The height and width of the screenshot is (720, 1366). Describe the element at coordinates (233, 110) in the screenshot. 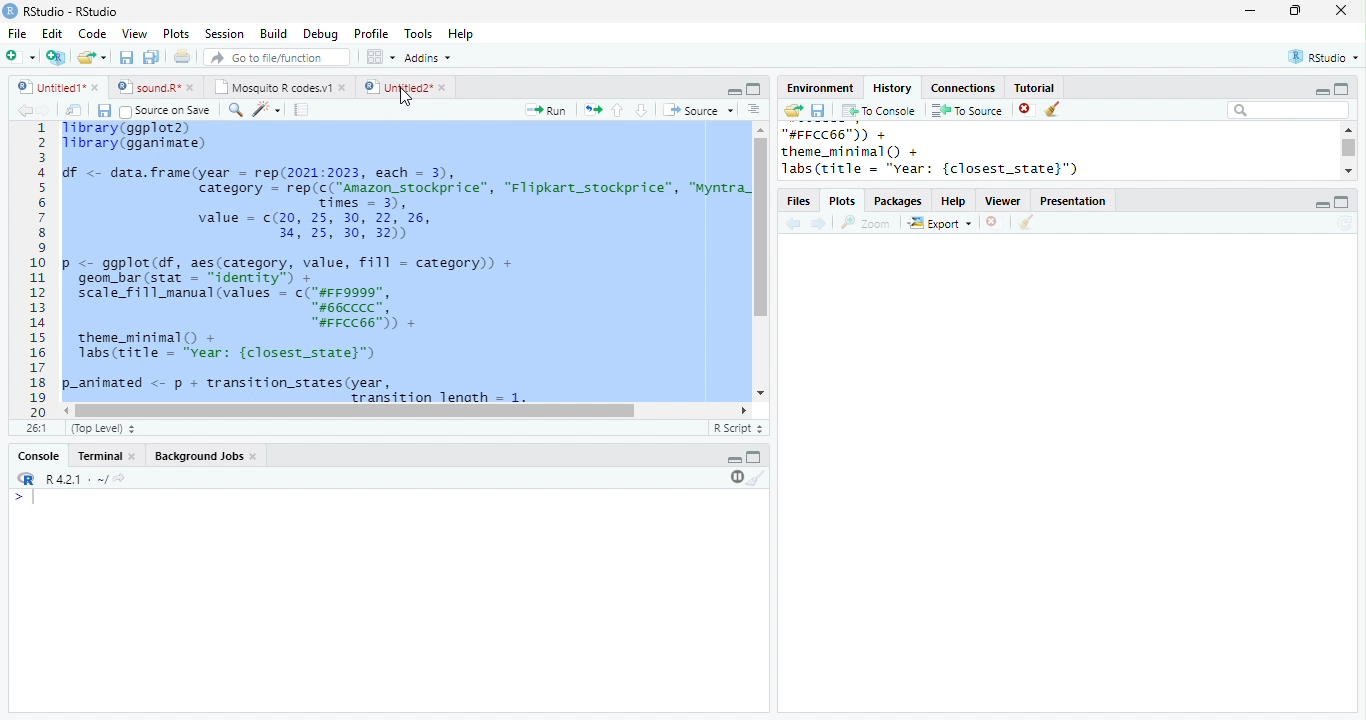

I see `search` at that location.